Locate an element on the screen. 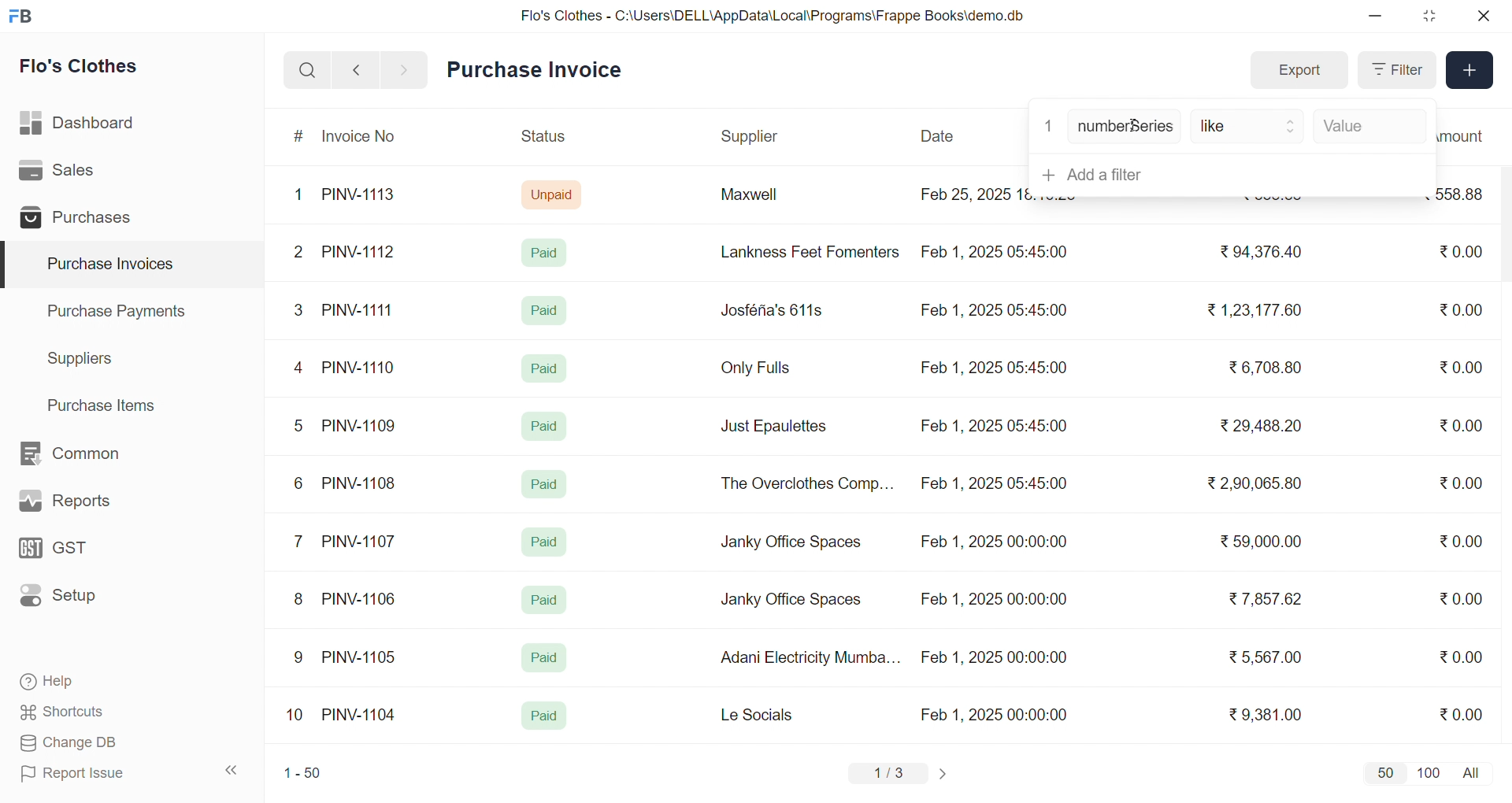 This screenshot has height=803, width=1512. PINV-1107 is located at coordinates (362, 542).